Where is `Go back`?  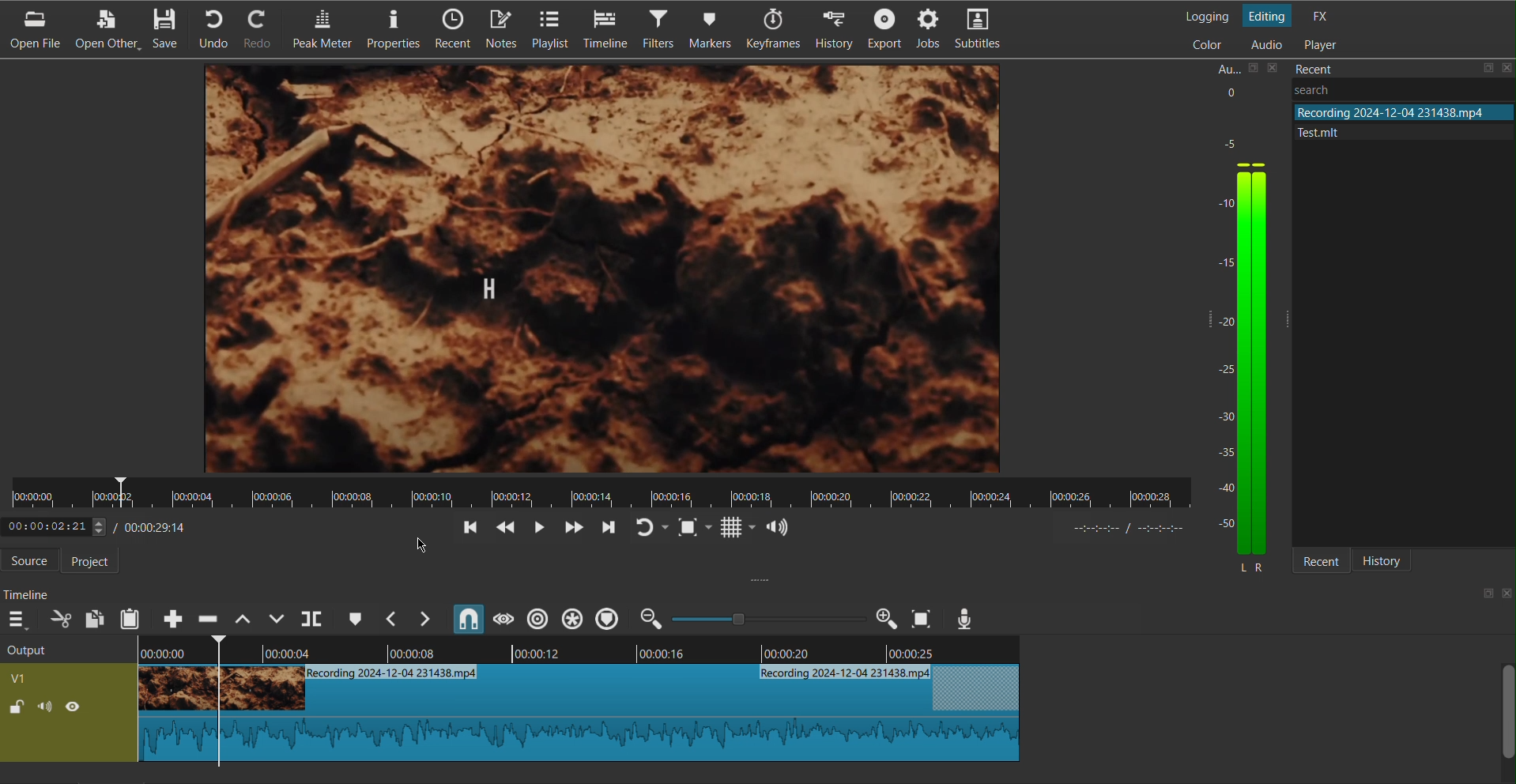 Go back is located at coordinates (470, 529).